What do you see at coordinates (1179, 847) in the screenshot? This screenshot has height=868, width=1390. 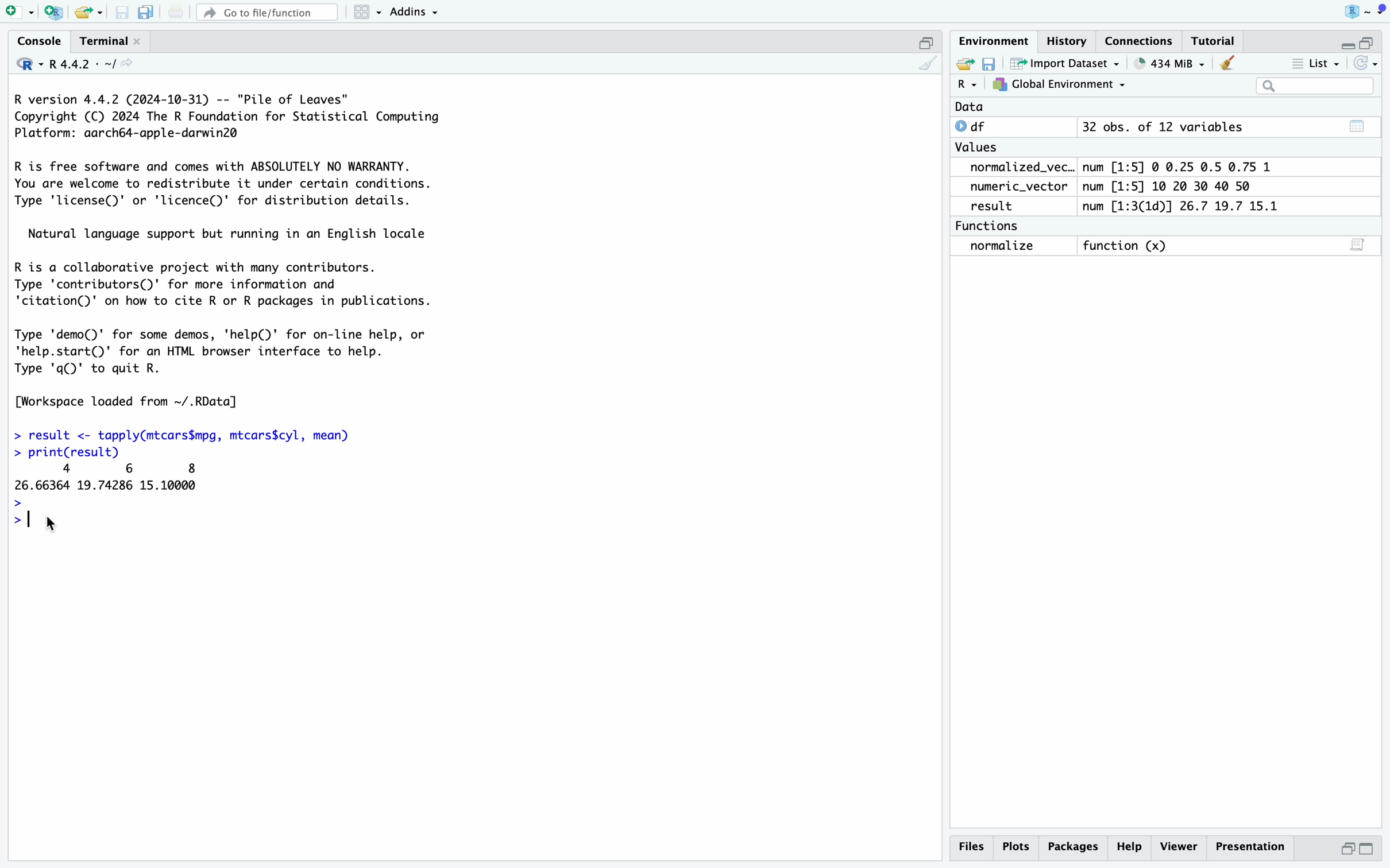 I see `Viewer` at bounding box center [1179, 847].